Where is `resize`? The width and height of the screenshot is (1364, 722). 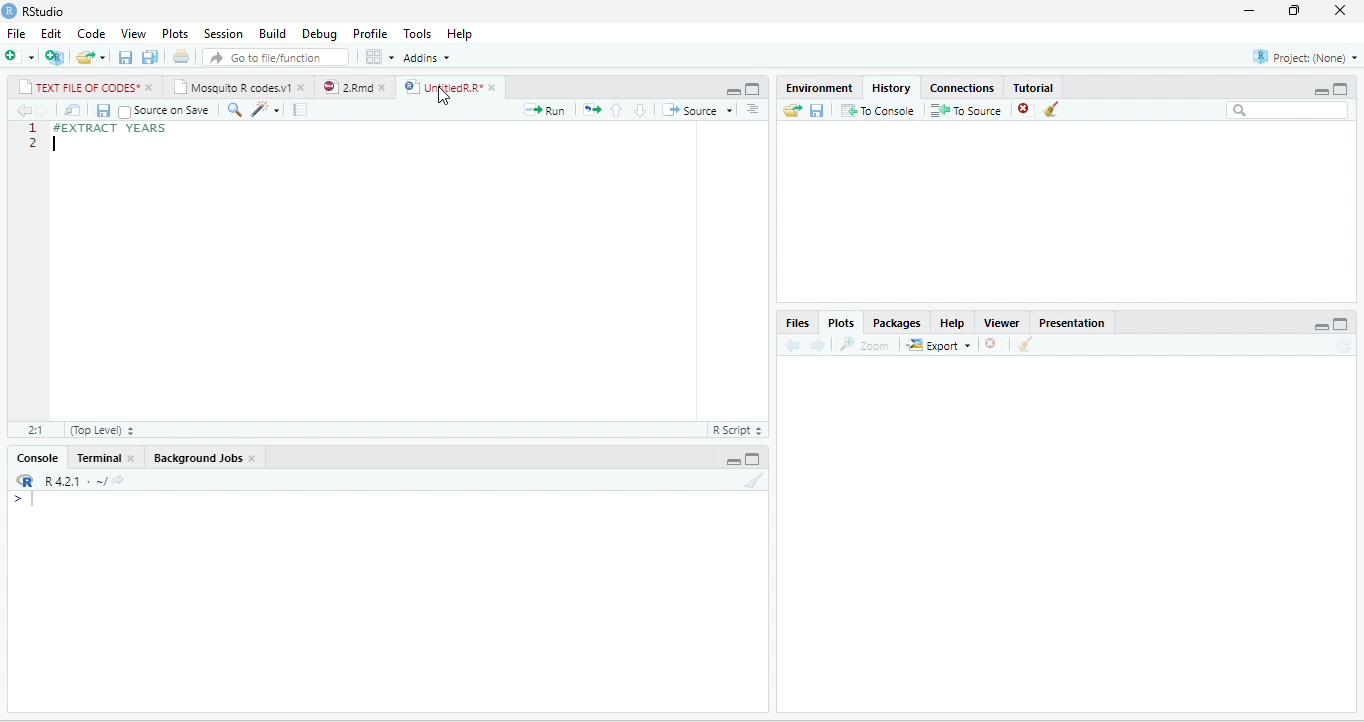 resize is located at coordinates (1294, 11).